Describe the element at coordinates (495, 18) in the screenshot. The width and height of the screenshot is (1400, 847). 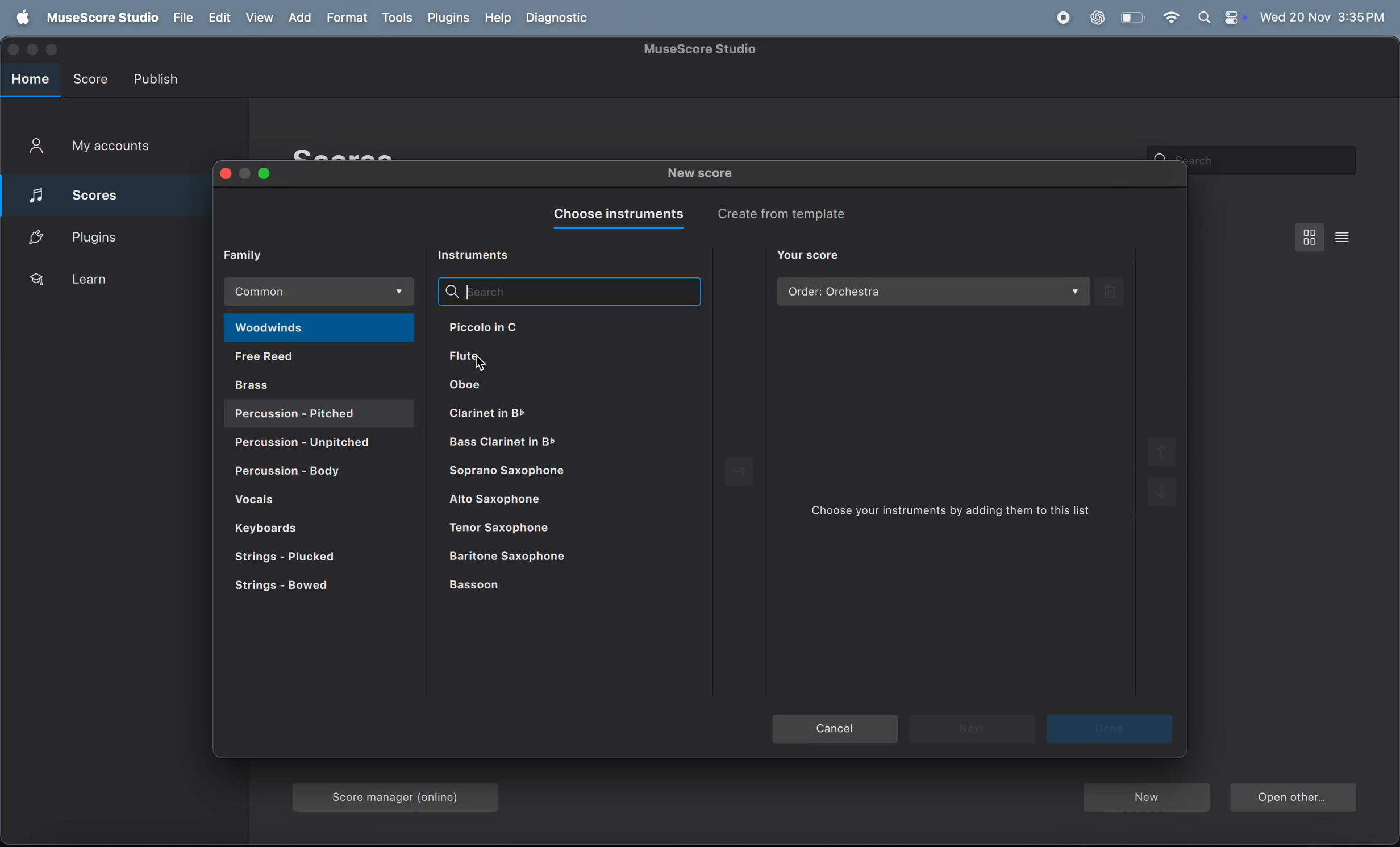
I see `help` at that location.